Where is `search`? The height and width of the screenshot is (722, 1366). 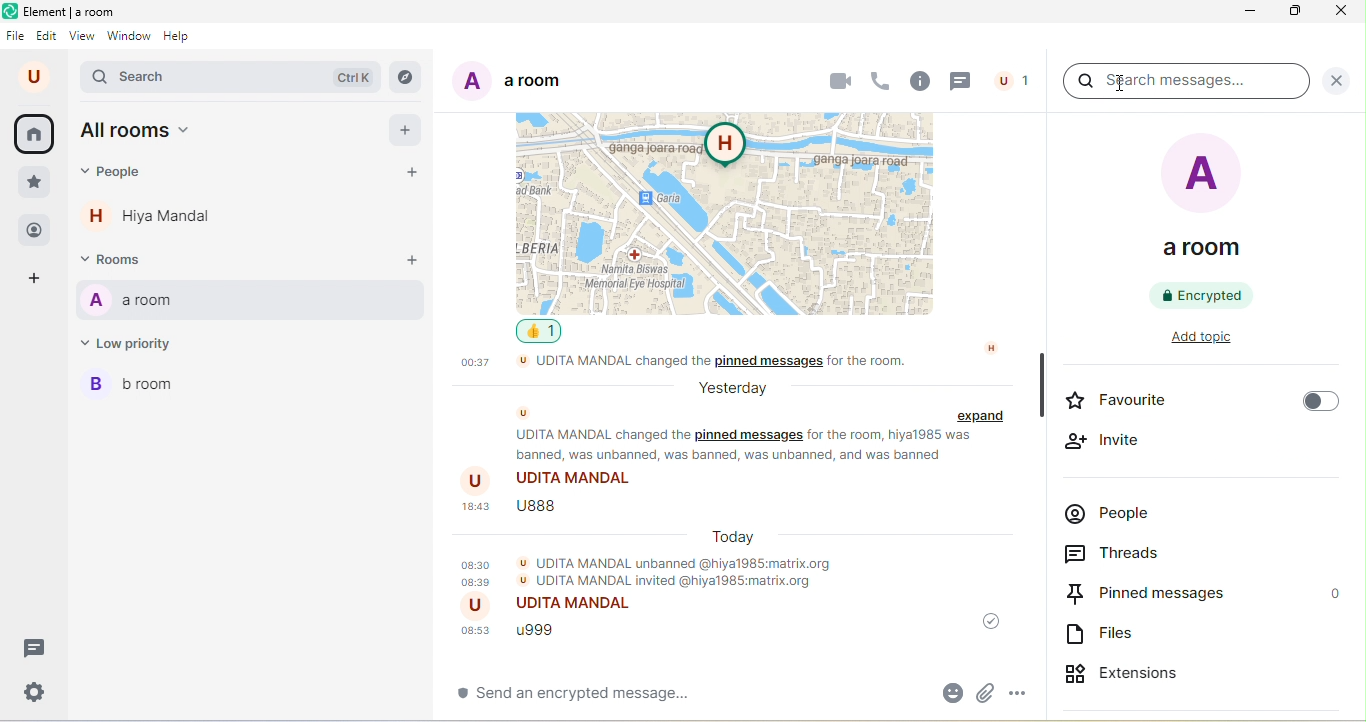
search is located at coordinates (1185, 85).